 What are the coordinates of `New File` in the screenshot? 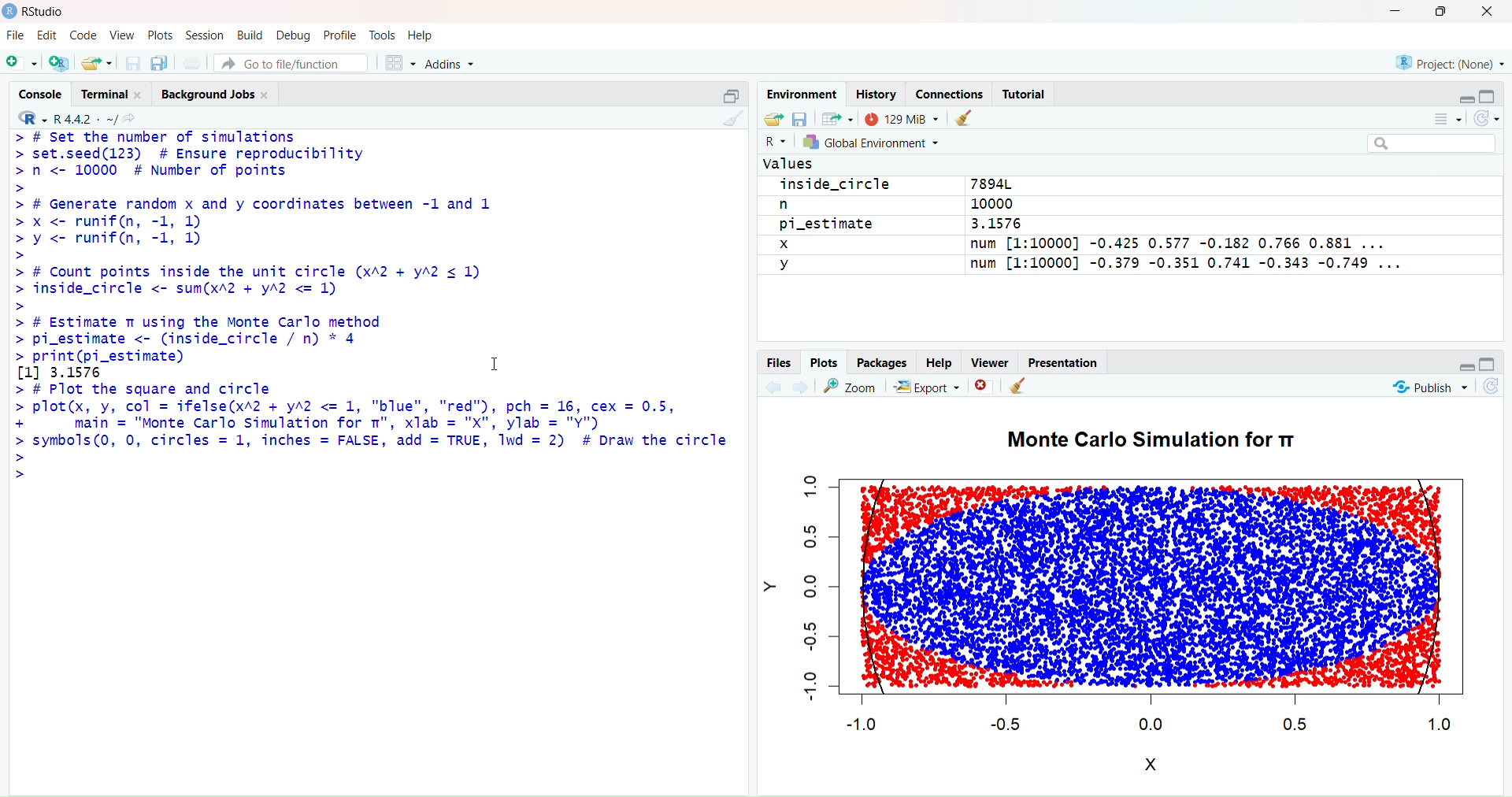 It's located at (22, 63).